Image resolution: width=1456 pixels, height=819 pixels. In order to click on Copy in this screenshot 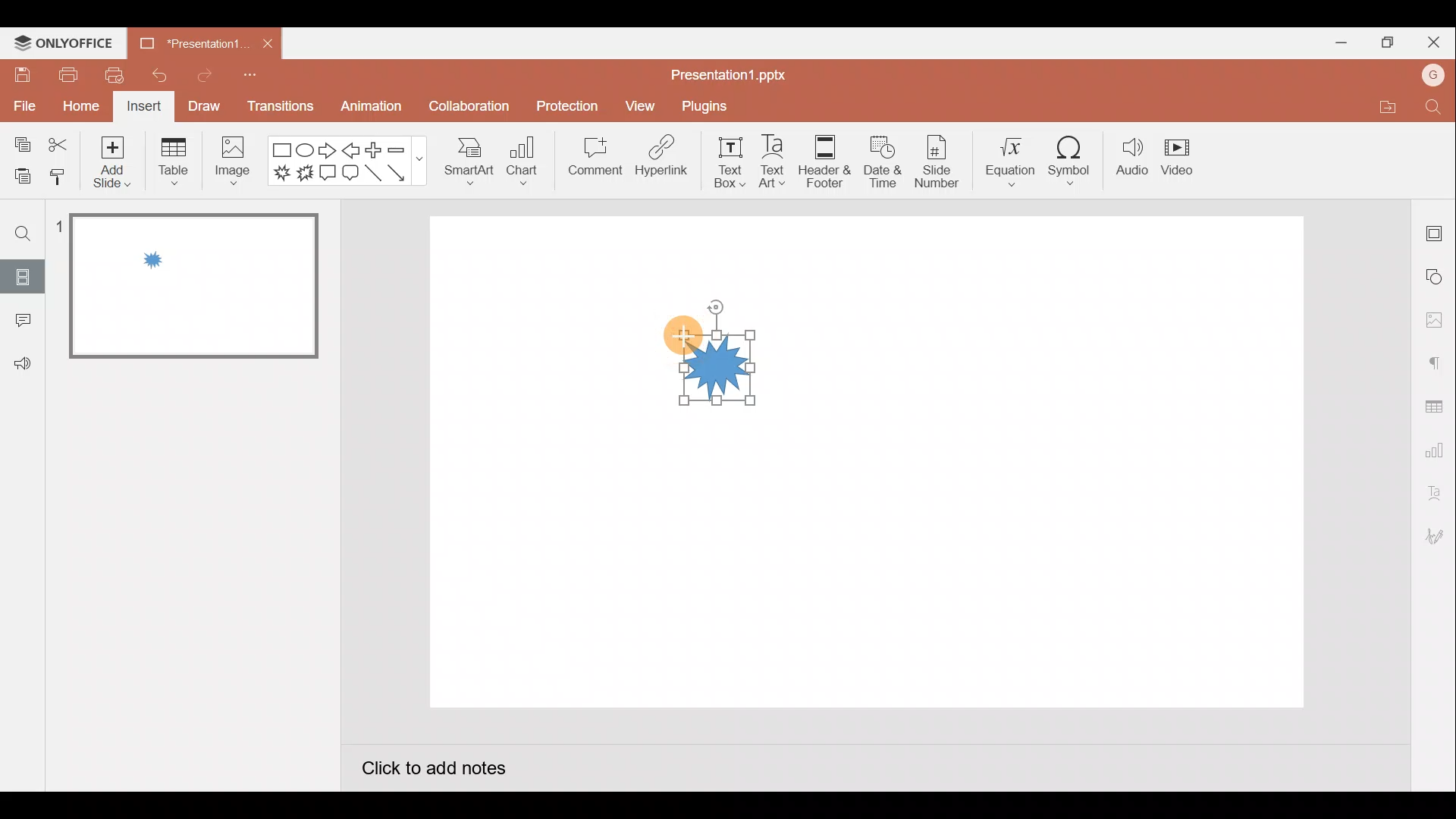, I will do `click(19, 143)`.